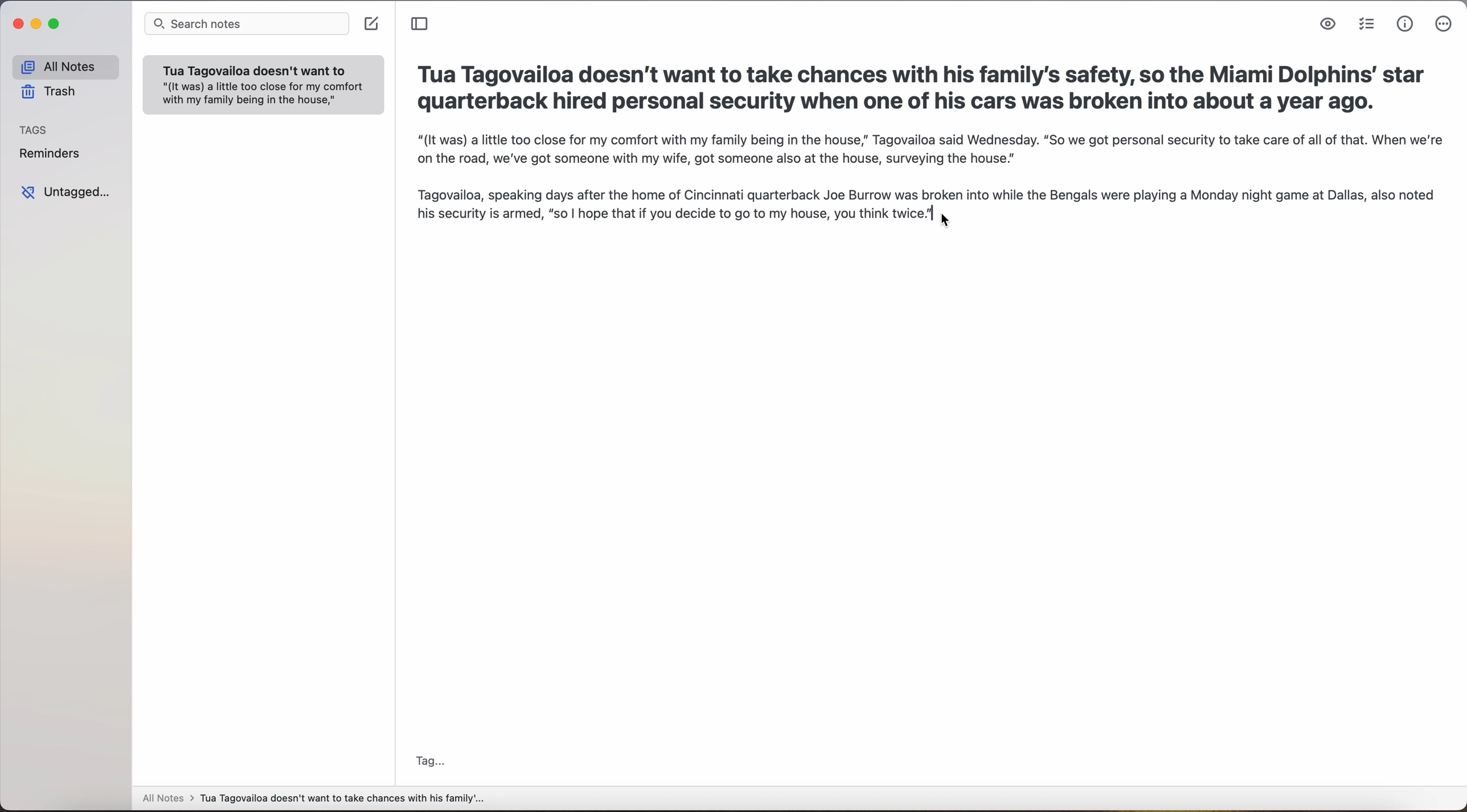 This screenshot has height=812, width=1467. Describe the element at coordinates (428, 761) in the screenshot. I see `tag` at that location.